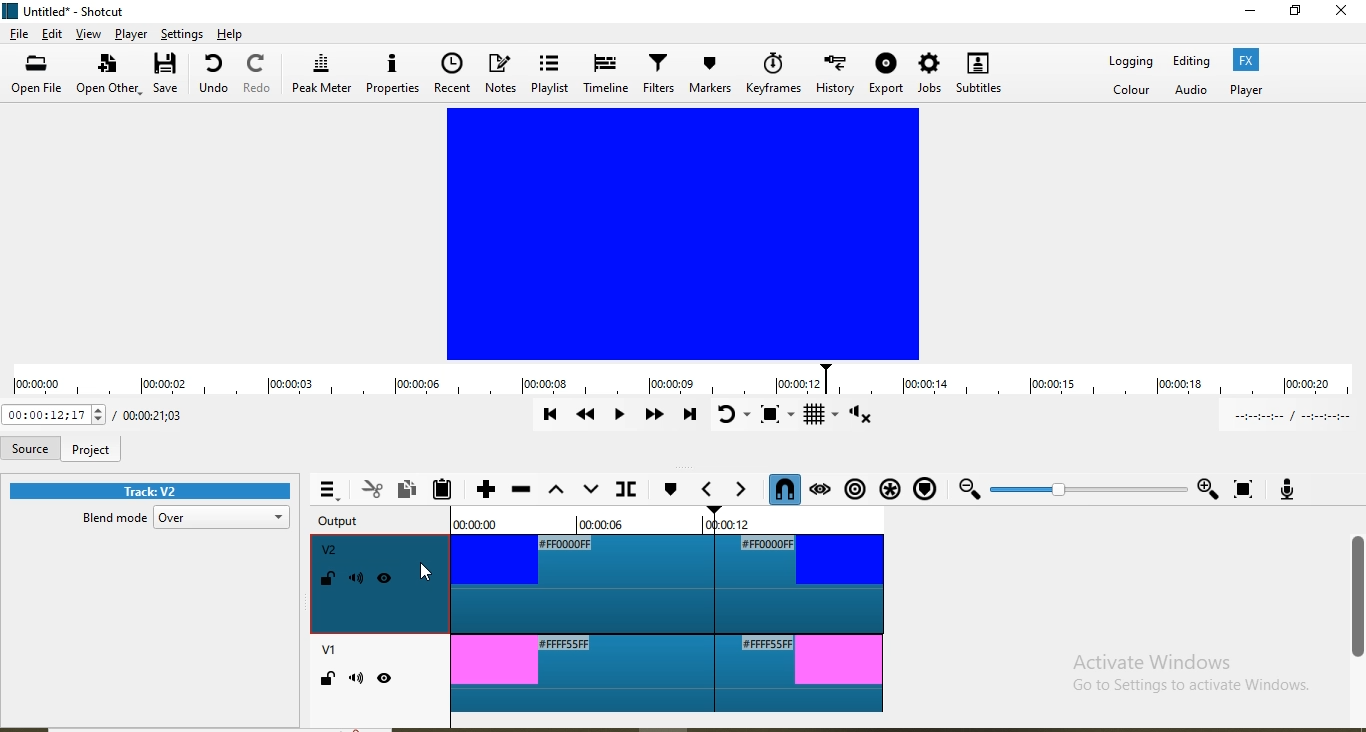 This screenshot has width=1366, height=732. Describe the element at coordinates (1288, 488) in the screenshot. I see `Record audio` at that location.